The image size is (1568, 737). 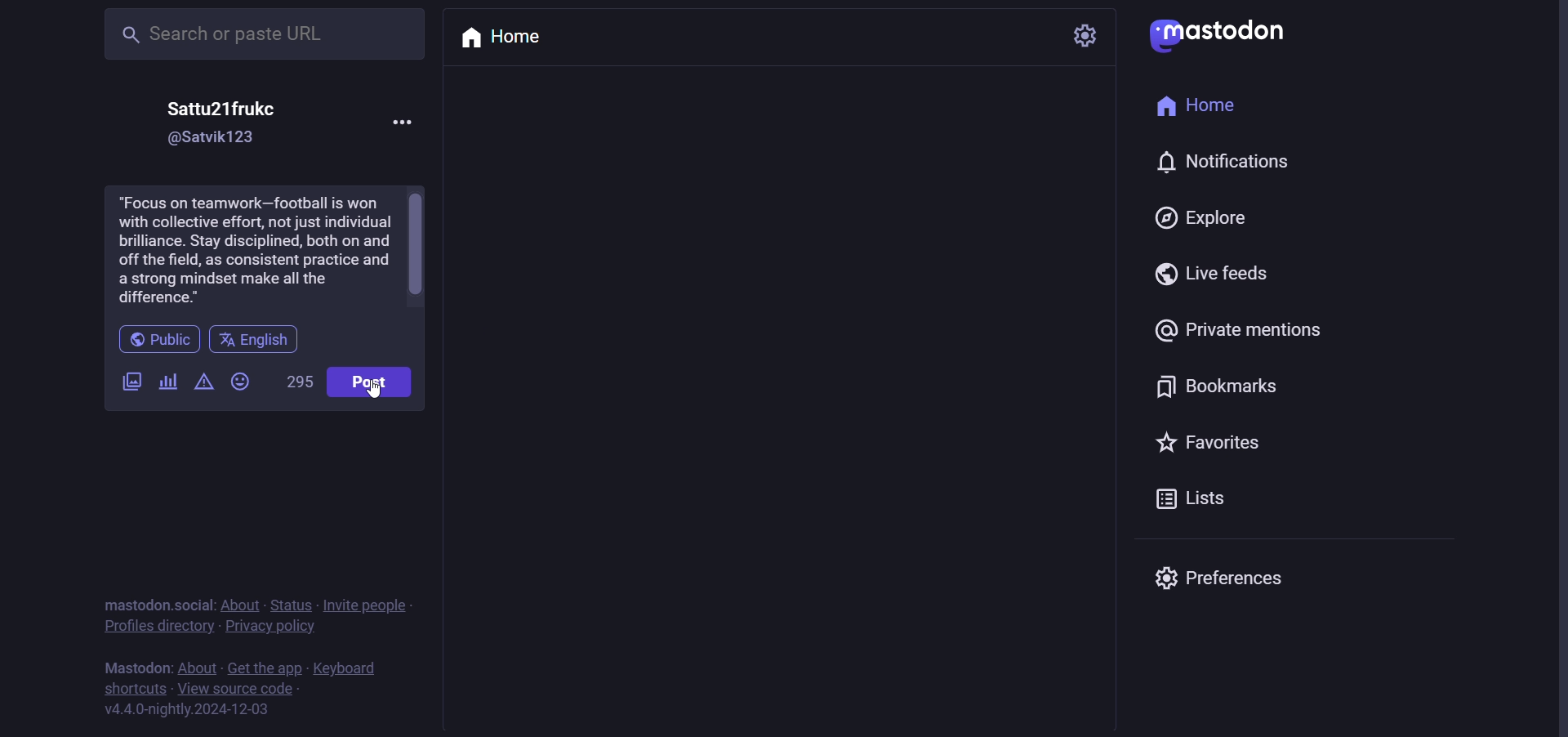 I want to click on mastodon social, so click(x=150, y=602).